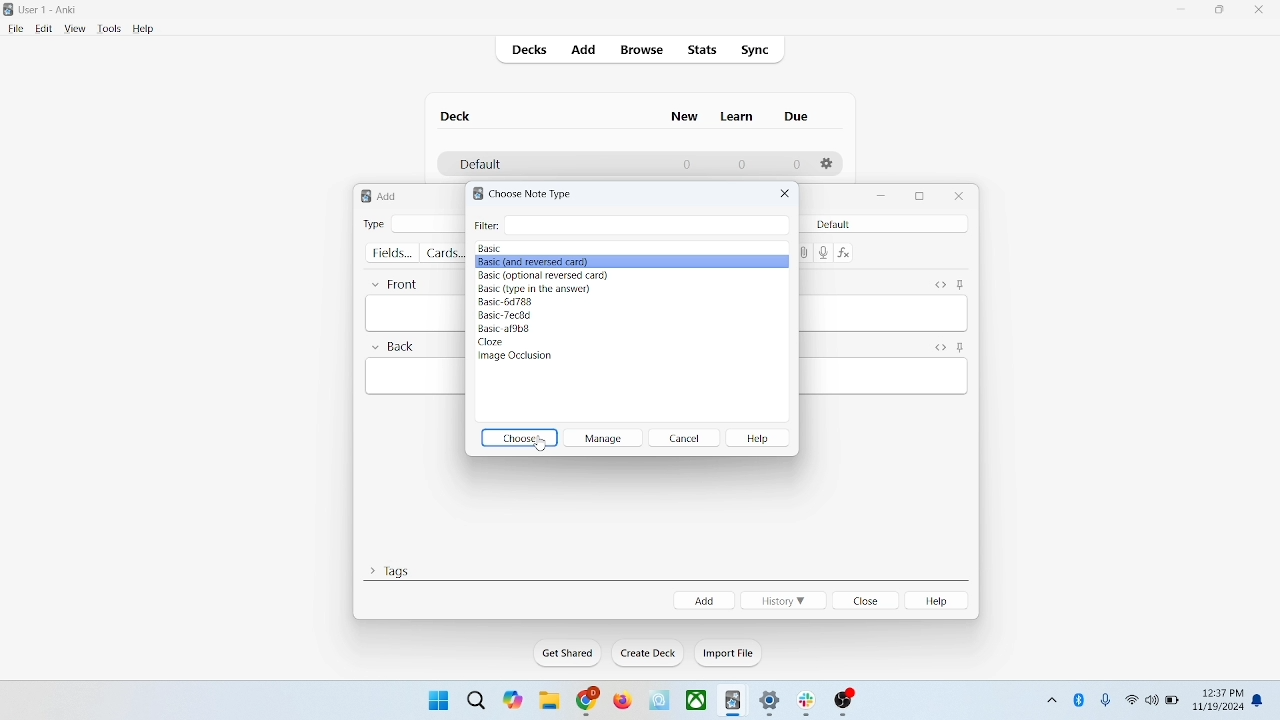 The width and height of the screenshot is (1280, 720). What do you see at coordinates (74, 29) in the screenshot?
I see `view` at bounding box center [74, 29].